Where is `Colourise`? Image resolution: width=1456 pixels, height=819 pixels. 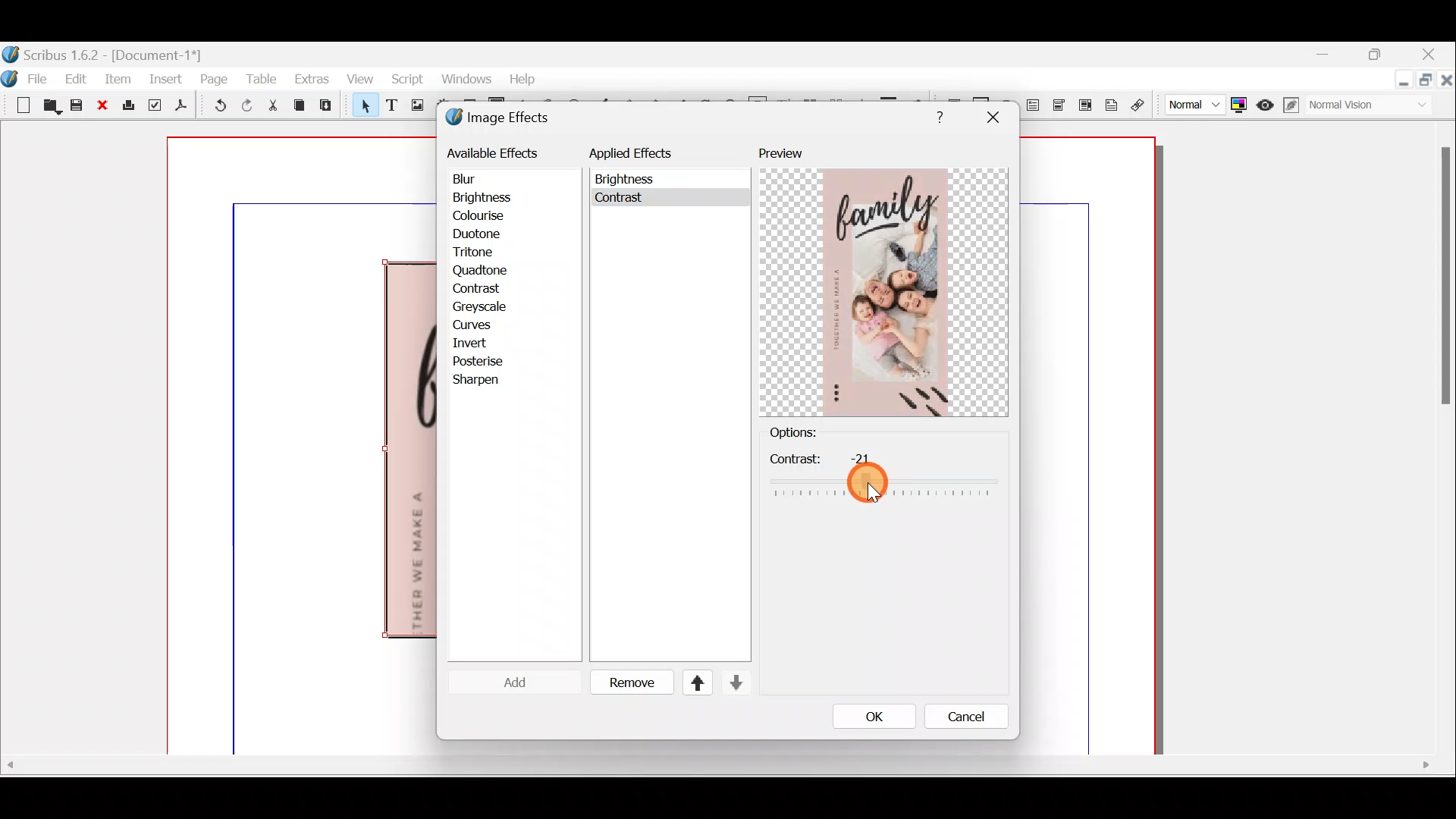
Colourise is located at coordinates (485, 215).